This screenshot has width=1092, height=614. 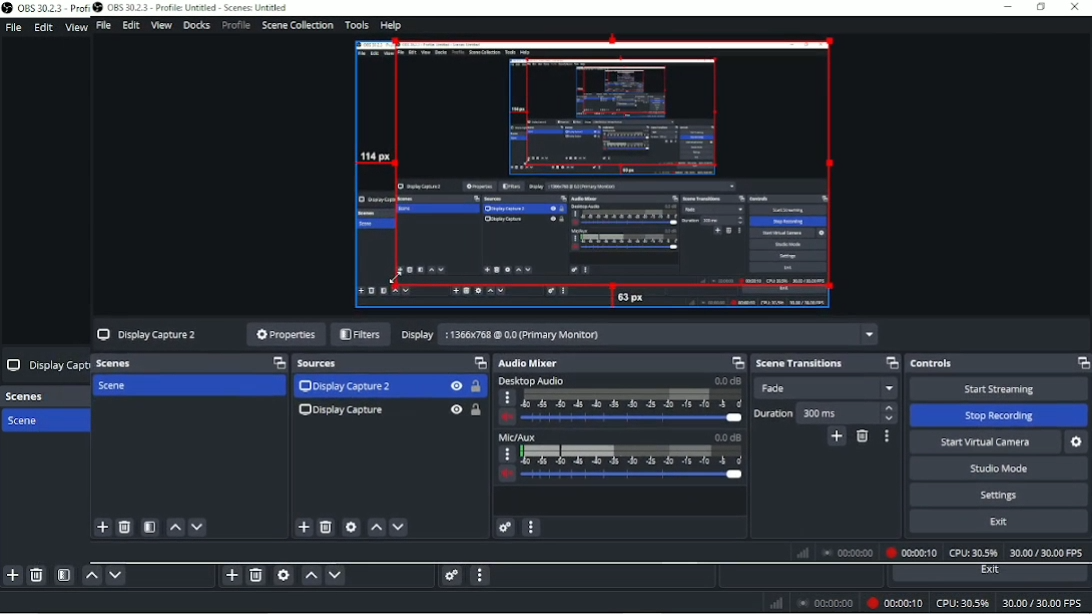 I want to click on settings, so click(x=505, y=527).